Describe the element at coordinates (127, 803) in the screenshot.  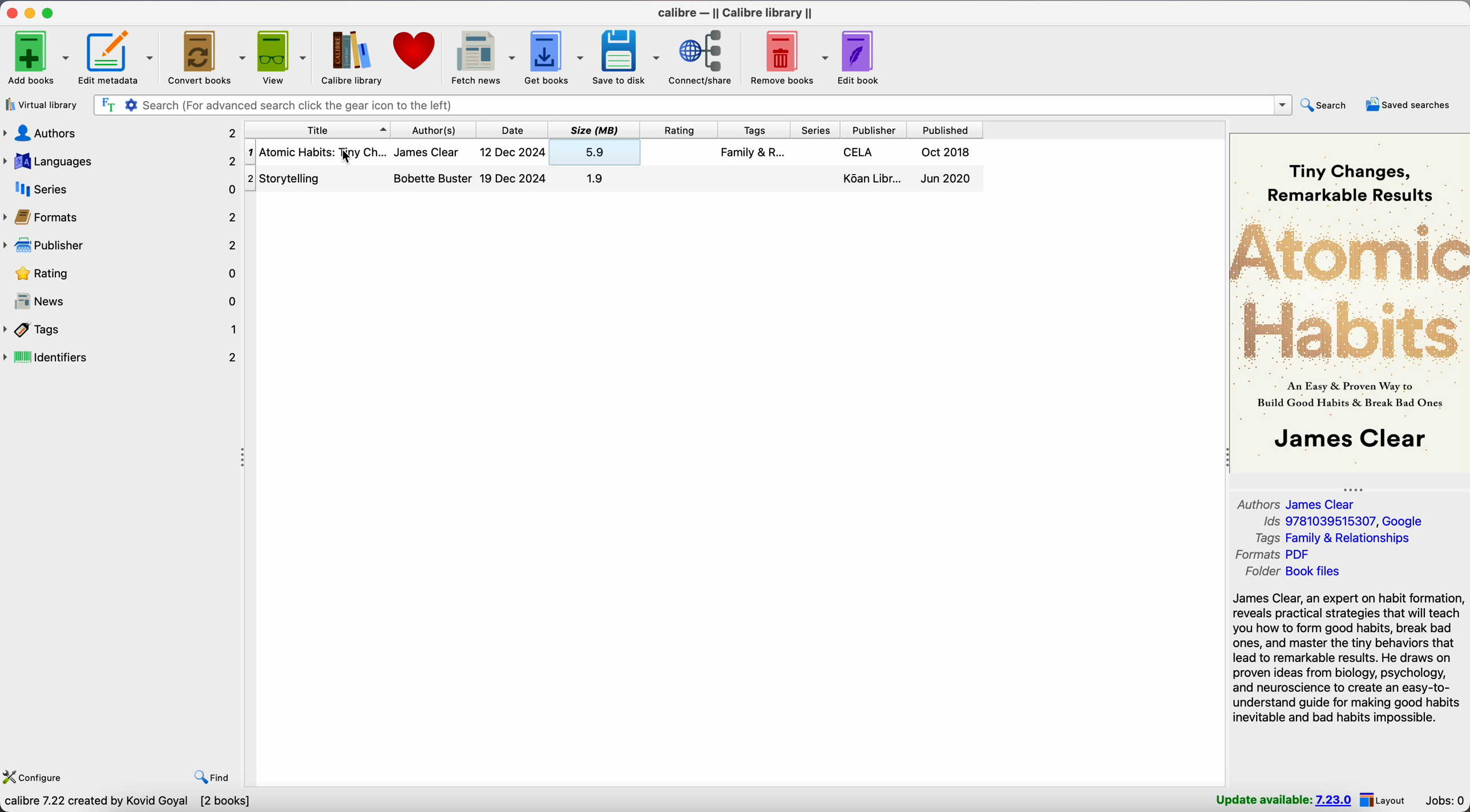
I see `Calibre 7.22 created by Kovid Goyal [2 books]` at that location.